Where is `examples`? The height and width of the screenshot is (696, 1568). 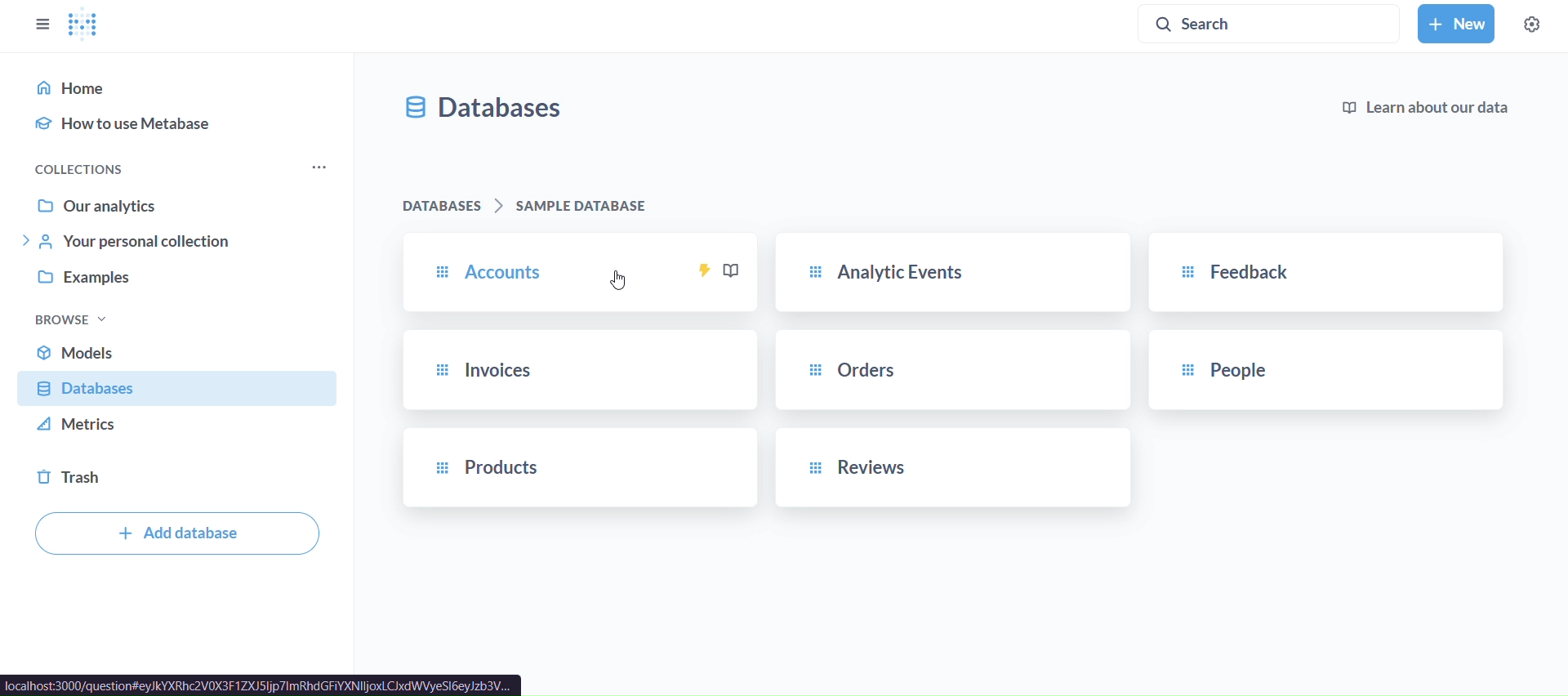
examples is located at coordinates (180, 284).